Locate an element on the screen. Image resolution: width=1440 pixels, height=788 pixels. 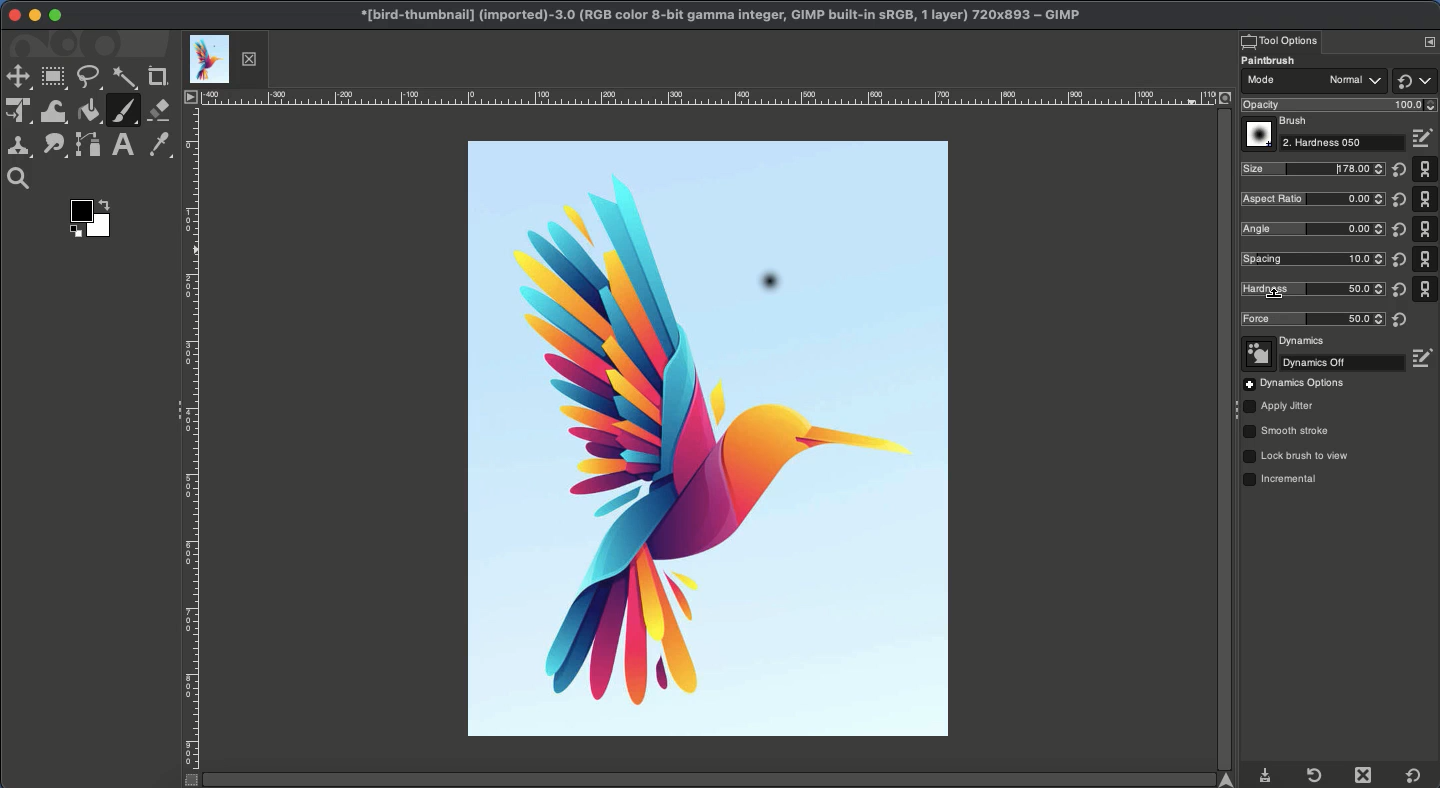
Brush is located at coordinates (1278, 122).